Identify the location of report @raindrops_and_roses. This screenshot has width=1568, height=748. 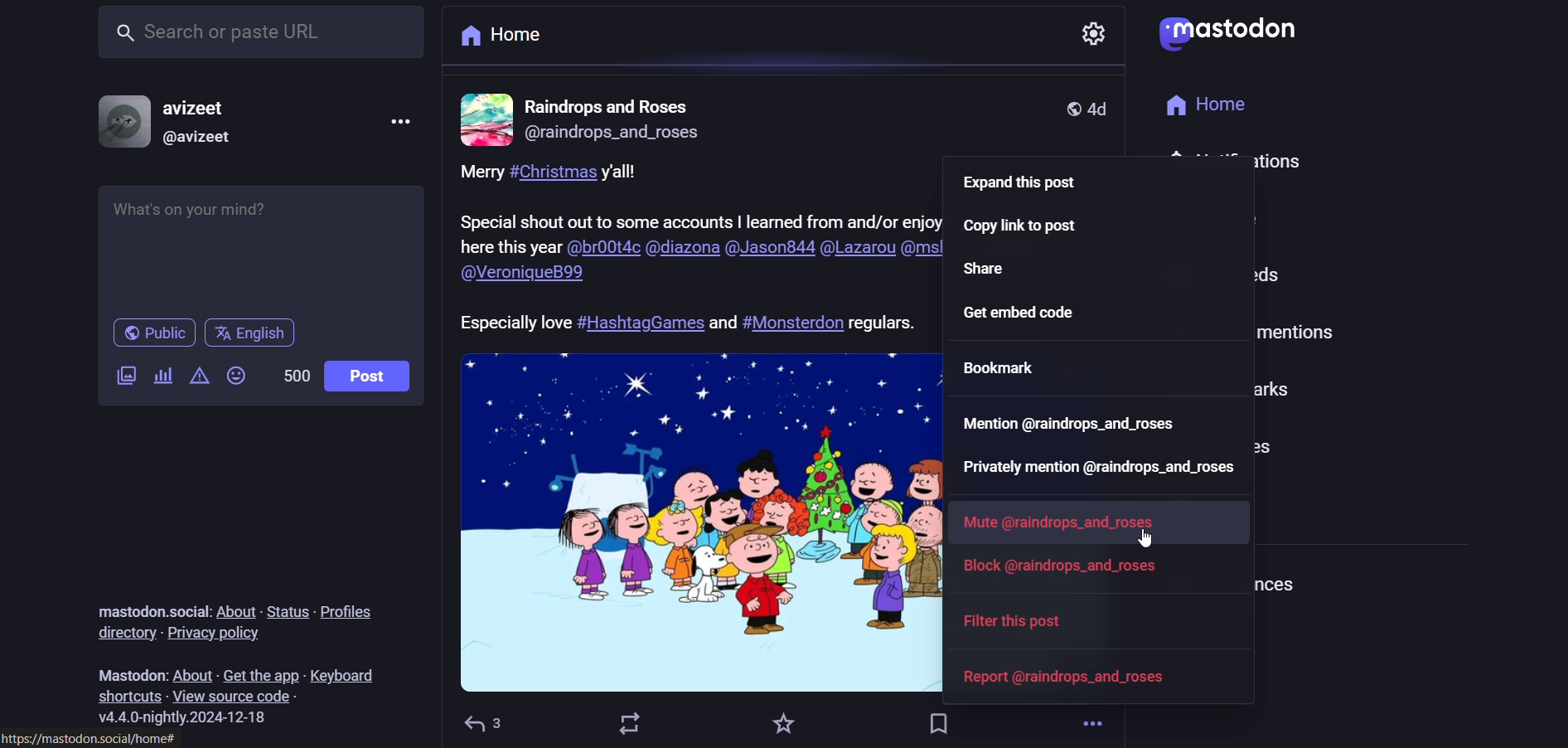
(1042, 675).